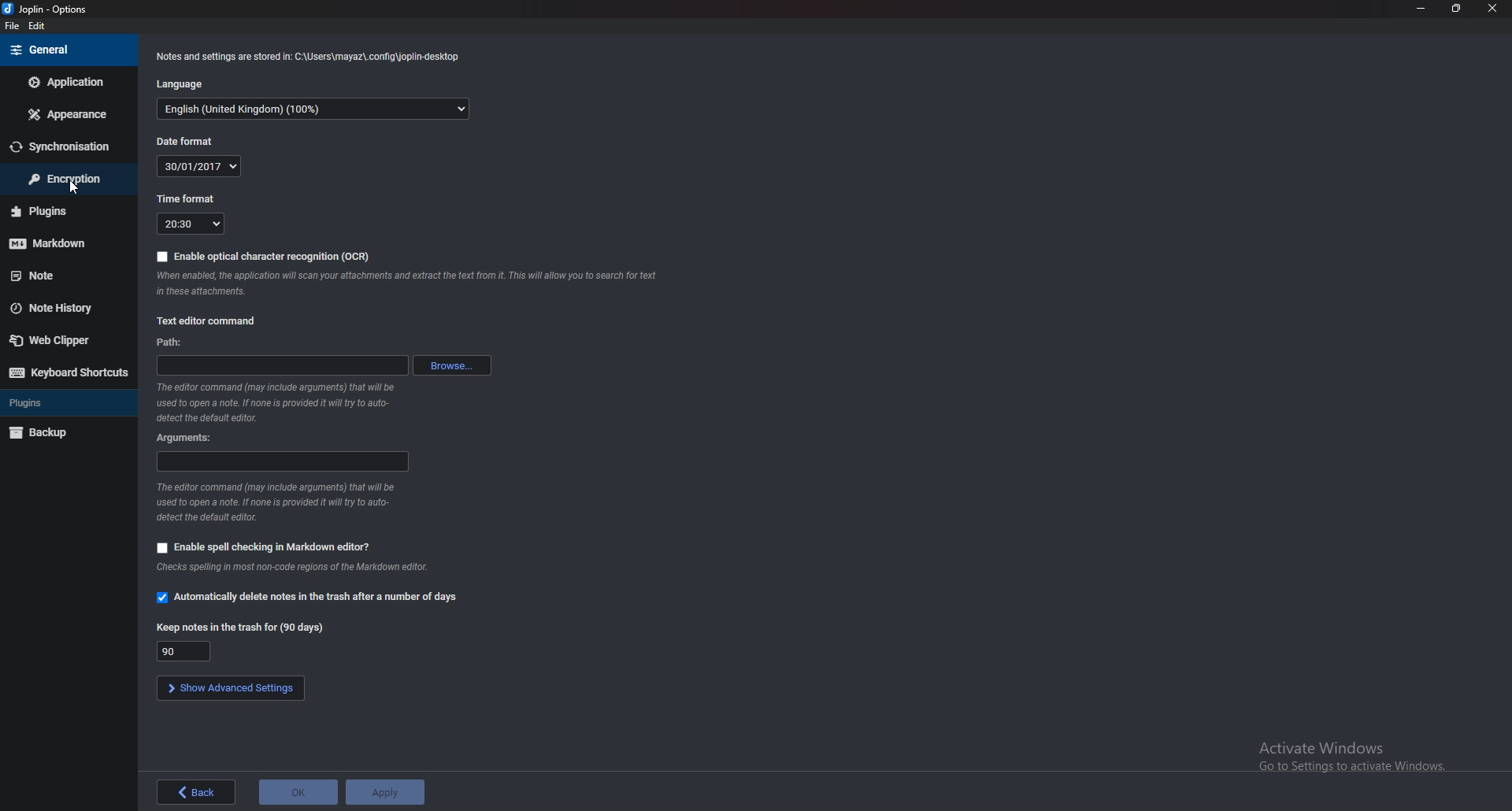 The height and width of the screenshot is (811, 1512). I want to click on joplin options, so click(44, 9).